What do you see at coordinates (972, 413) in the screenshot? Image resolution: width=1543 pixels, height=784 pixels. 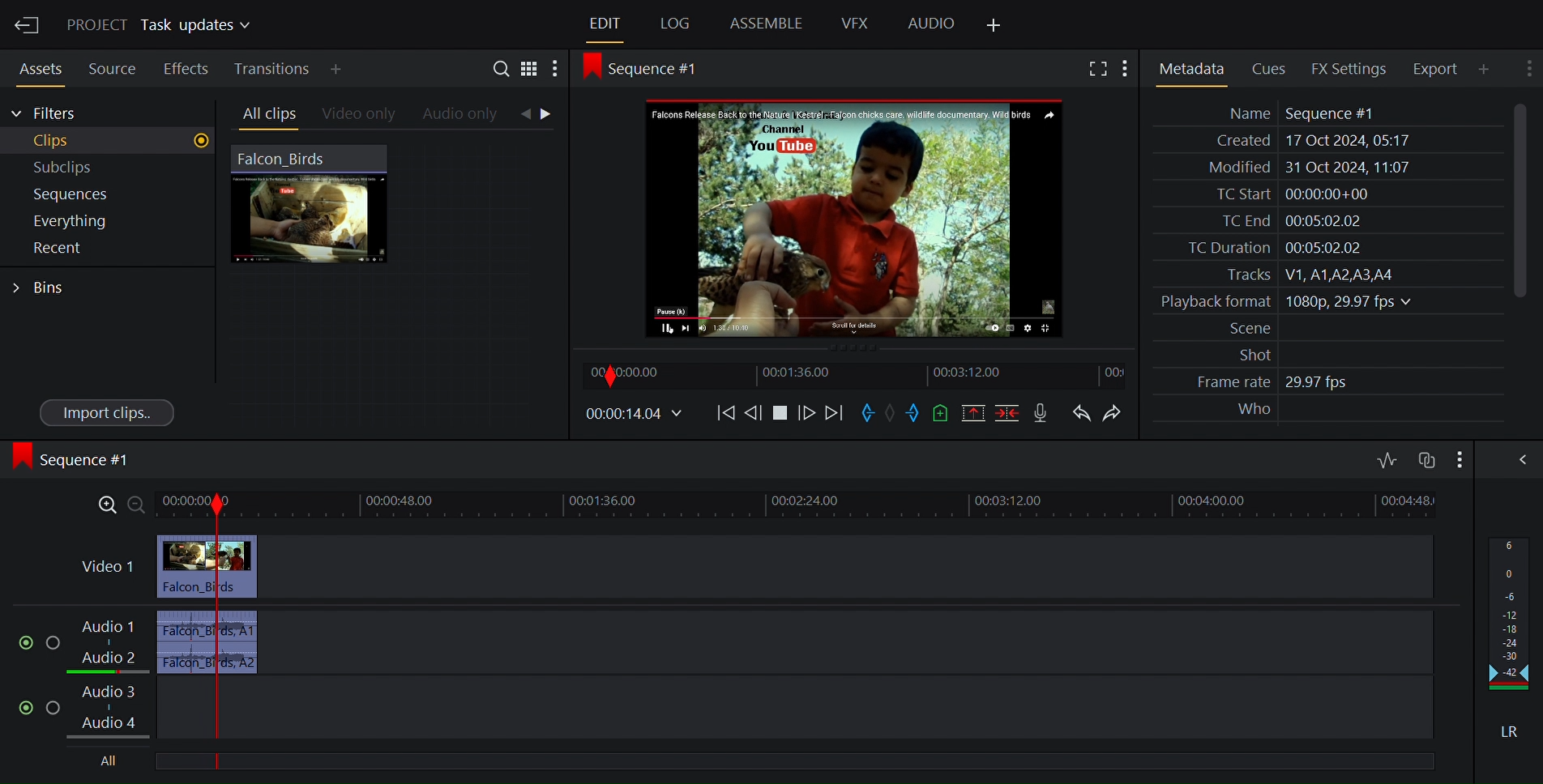 I see `Remove all marked sections` at bounding box center [972, 413].